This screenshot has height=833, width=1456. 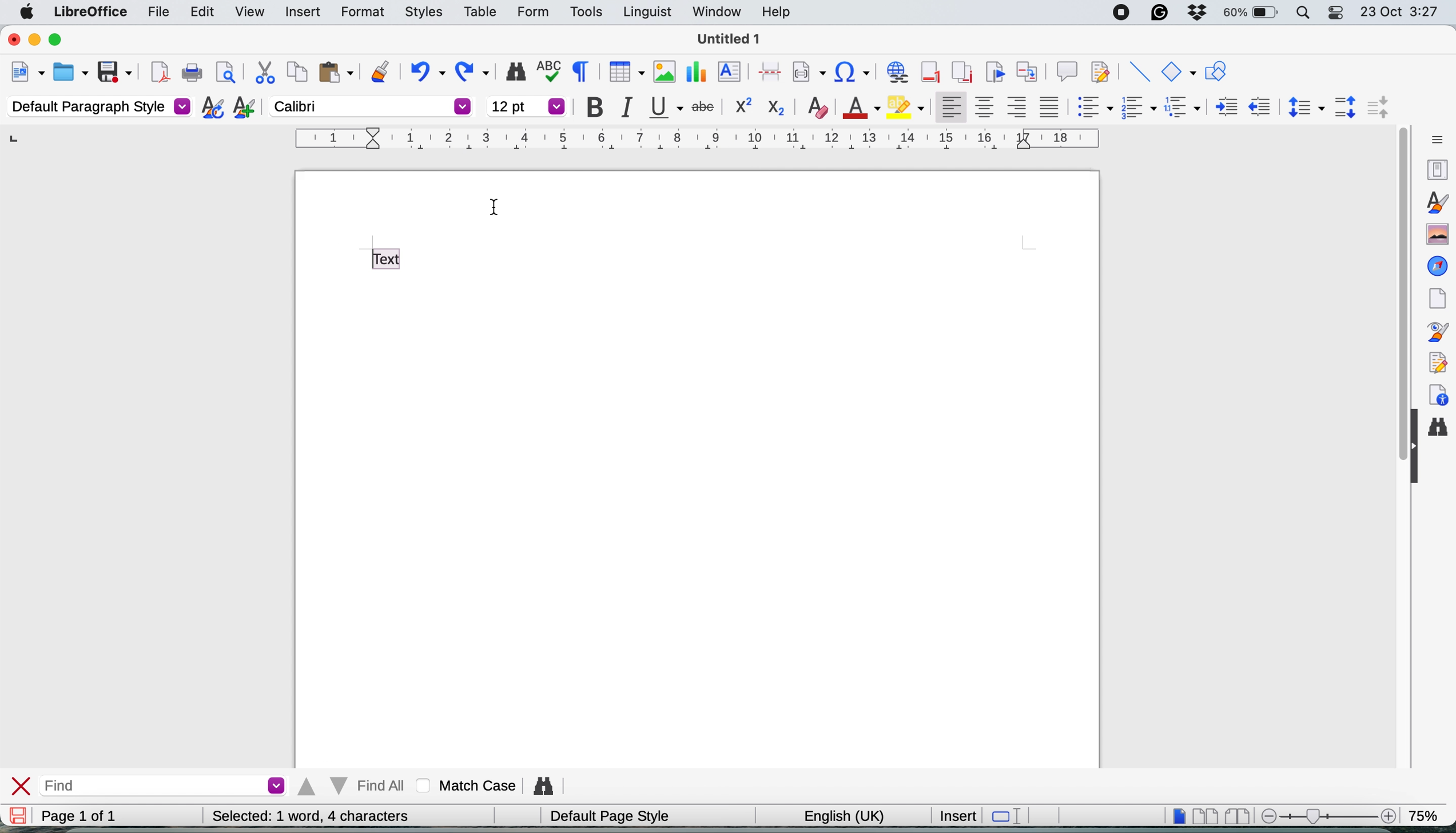 I want to click on maximise, so click(x=62, y=41).